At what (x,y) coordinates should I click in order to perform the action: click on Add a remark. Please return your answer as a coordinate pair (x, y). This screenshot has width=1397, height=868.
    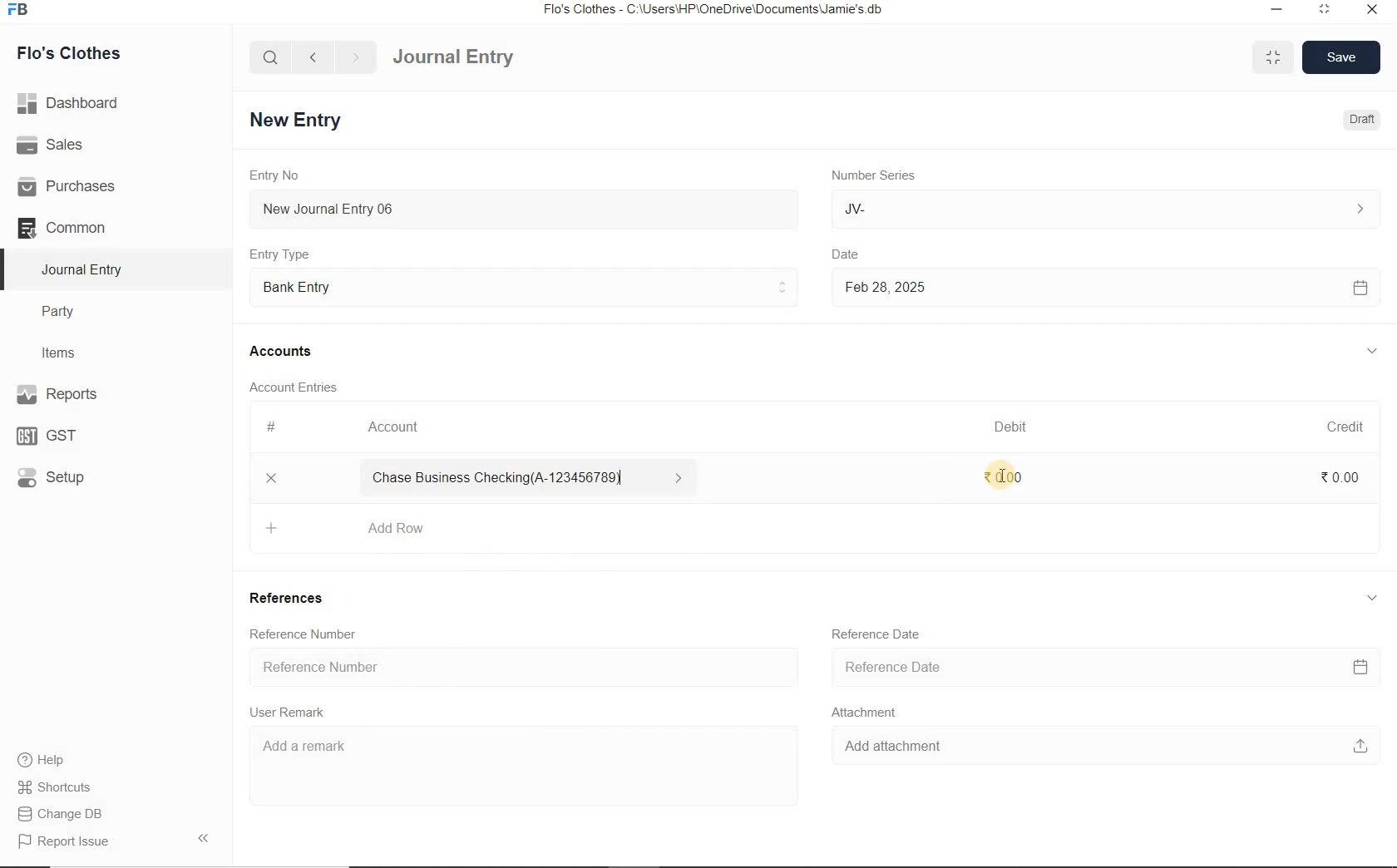
    Looking at the image, I should click on (514, 755).